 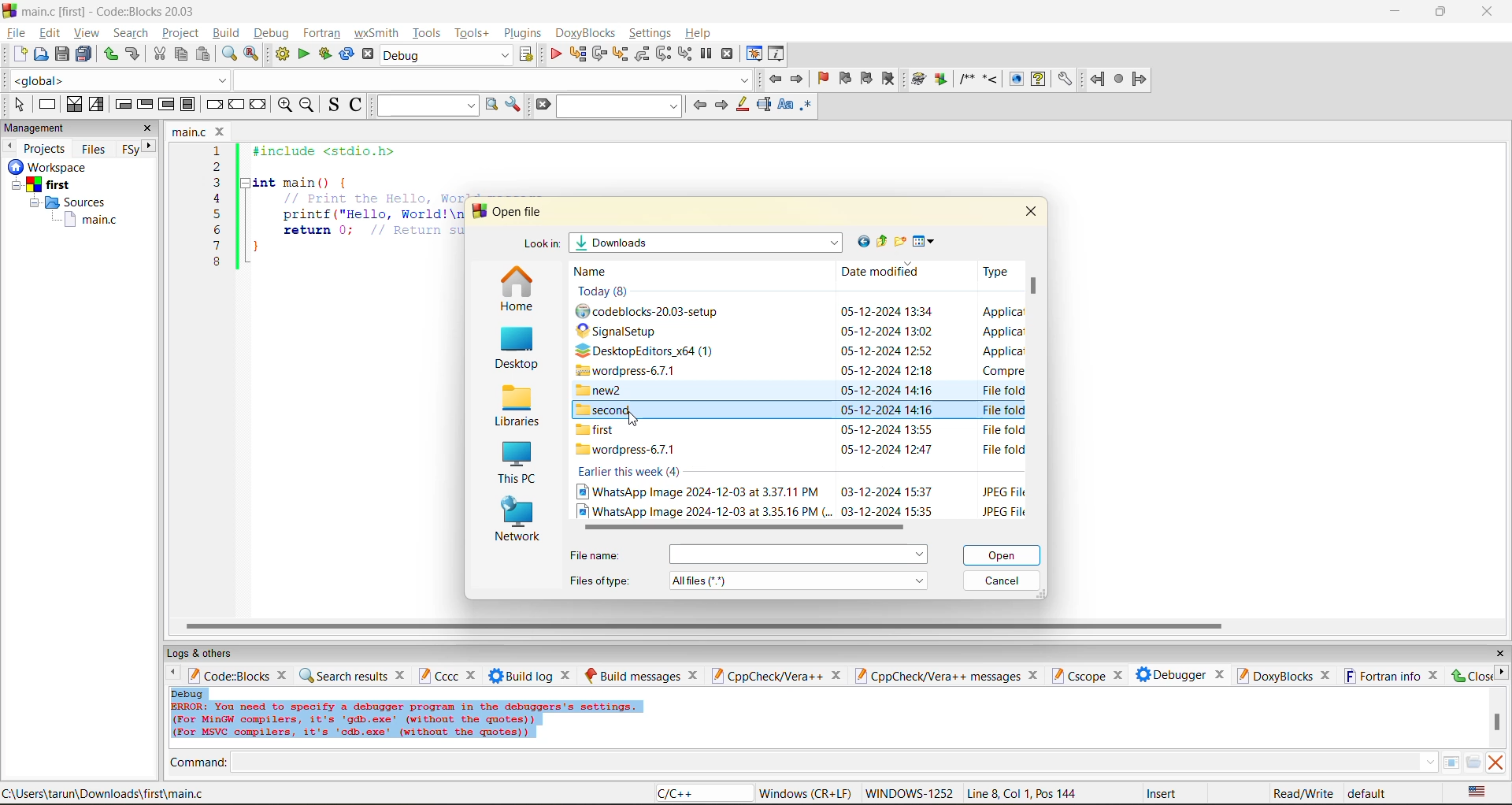 What do you see at coordinates (1451, 762) in the screenshot?
I see `tables` at bounding box center [1451, 762].